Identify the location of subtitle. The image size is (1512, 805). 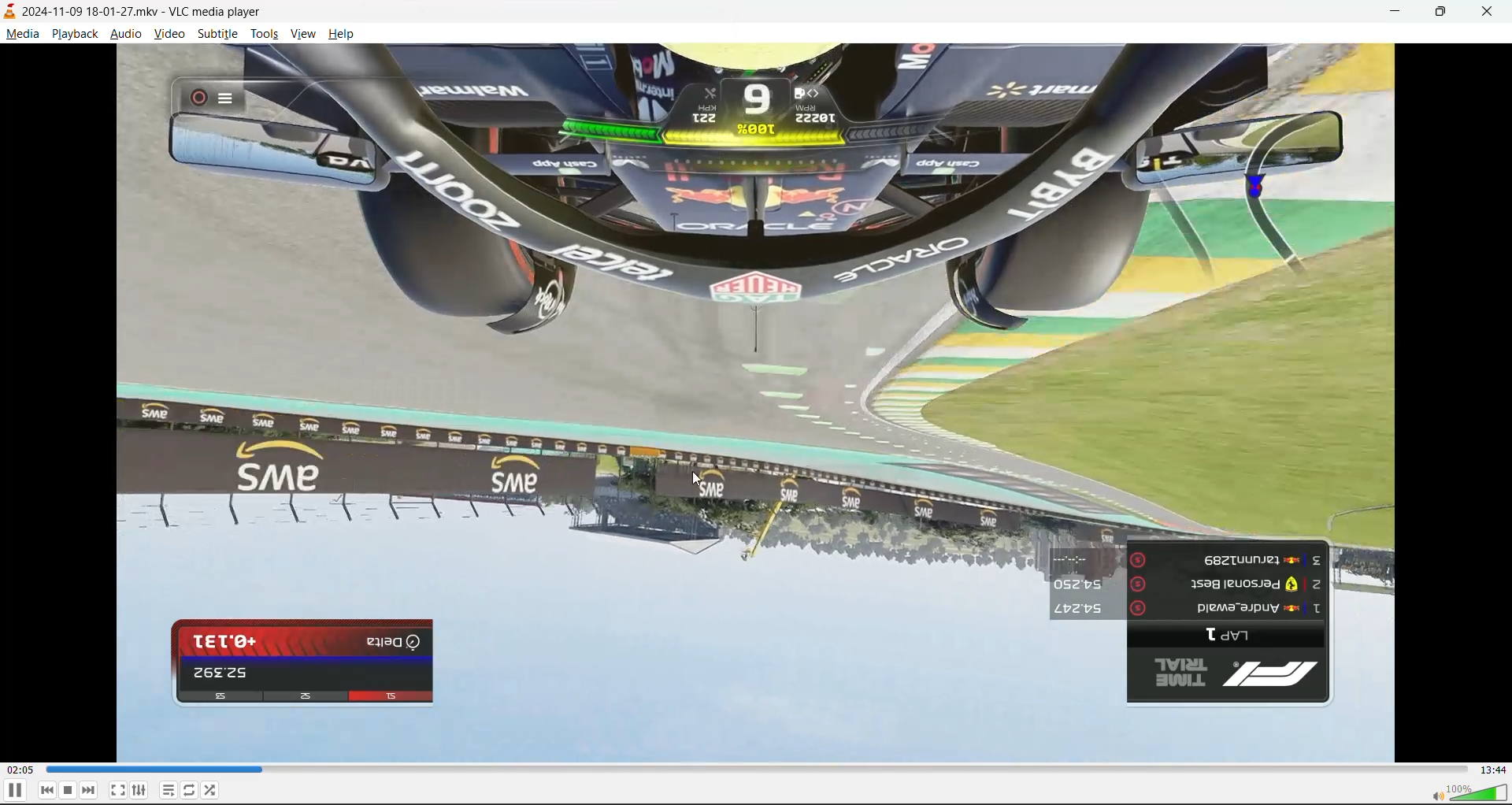
(220, 35).